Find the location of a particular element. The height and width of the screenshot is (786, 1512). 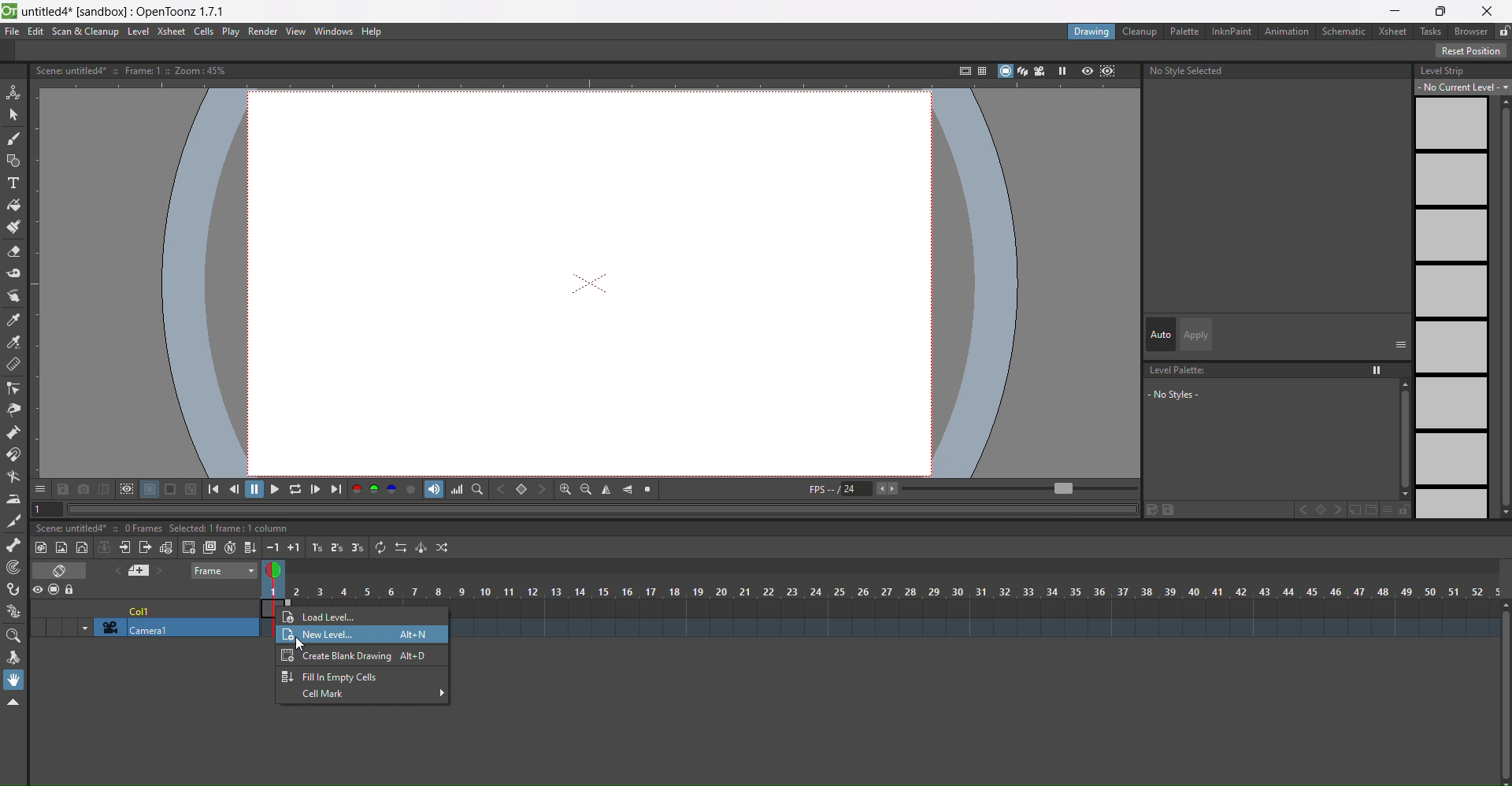

last frame is located at coordinates (336, 489).